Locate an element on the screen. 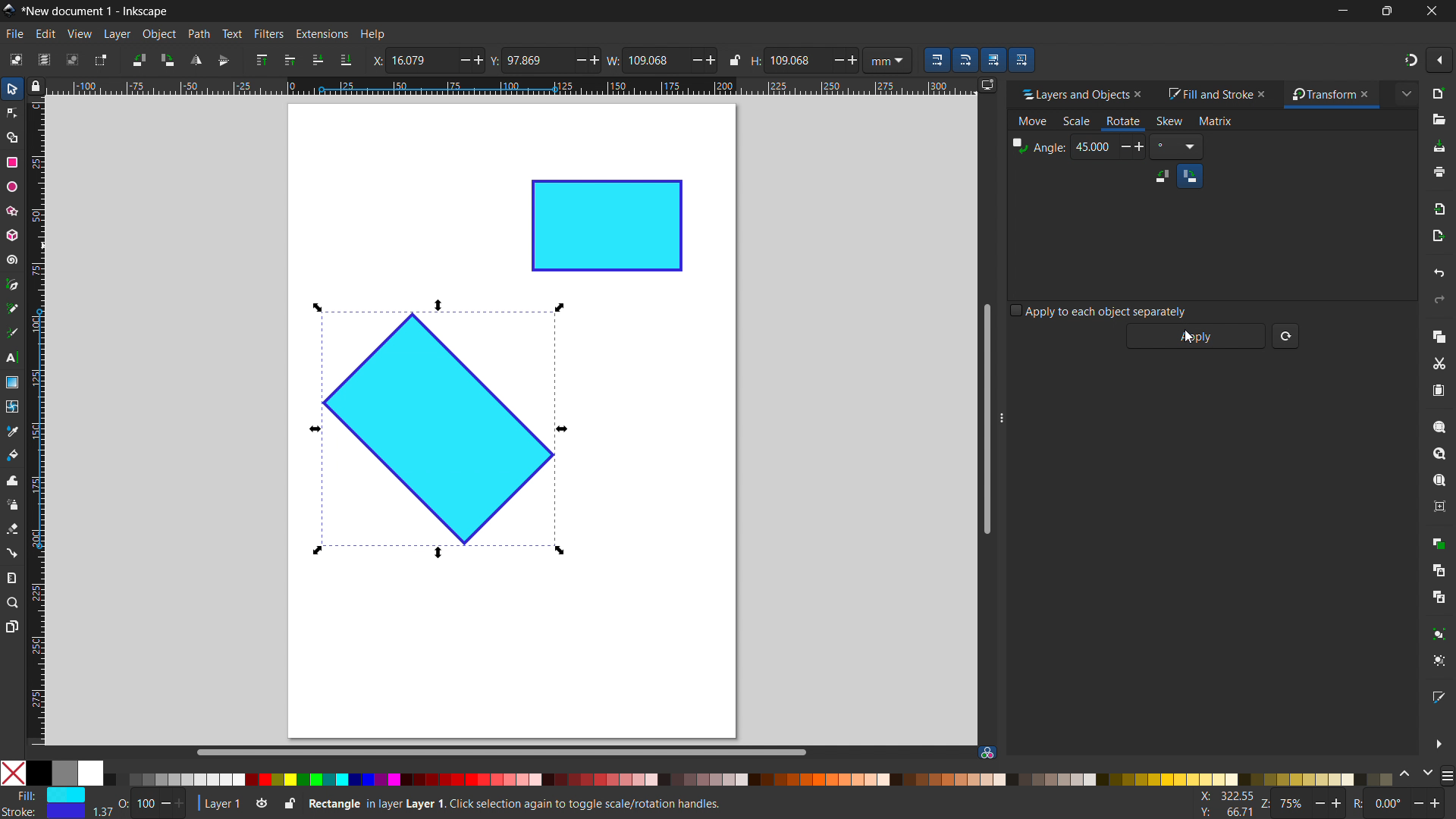  node tool is located at coordinates (11, 111).